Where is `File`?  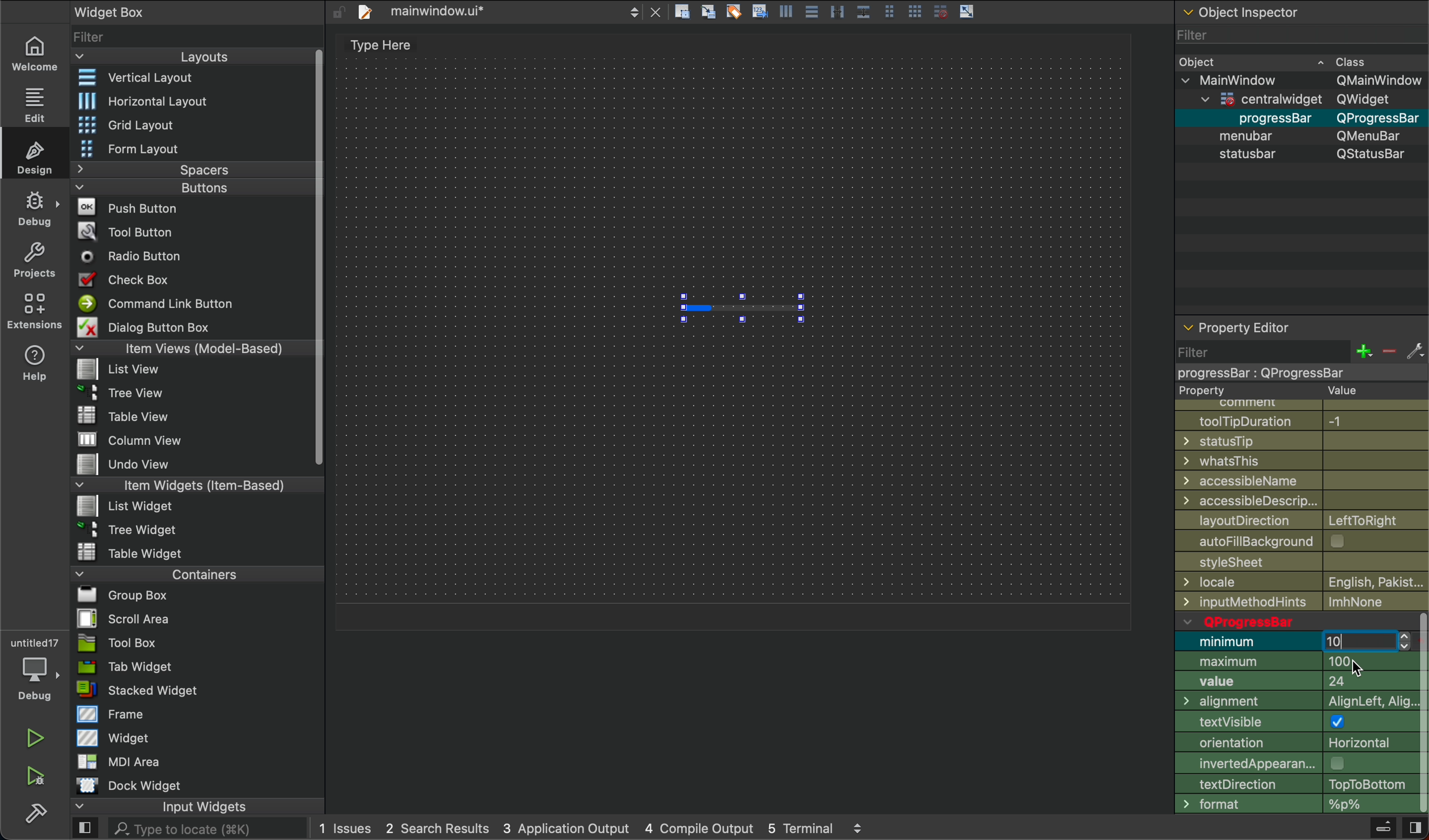 File is located at coordinates (126, 505).